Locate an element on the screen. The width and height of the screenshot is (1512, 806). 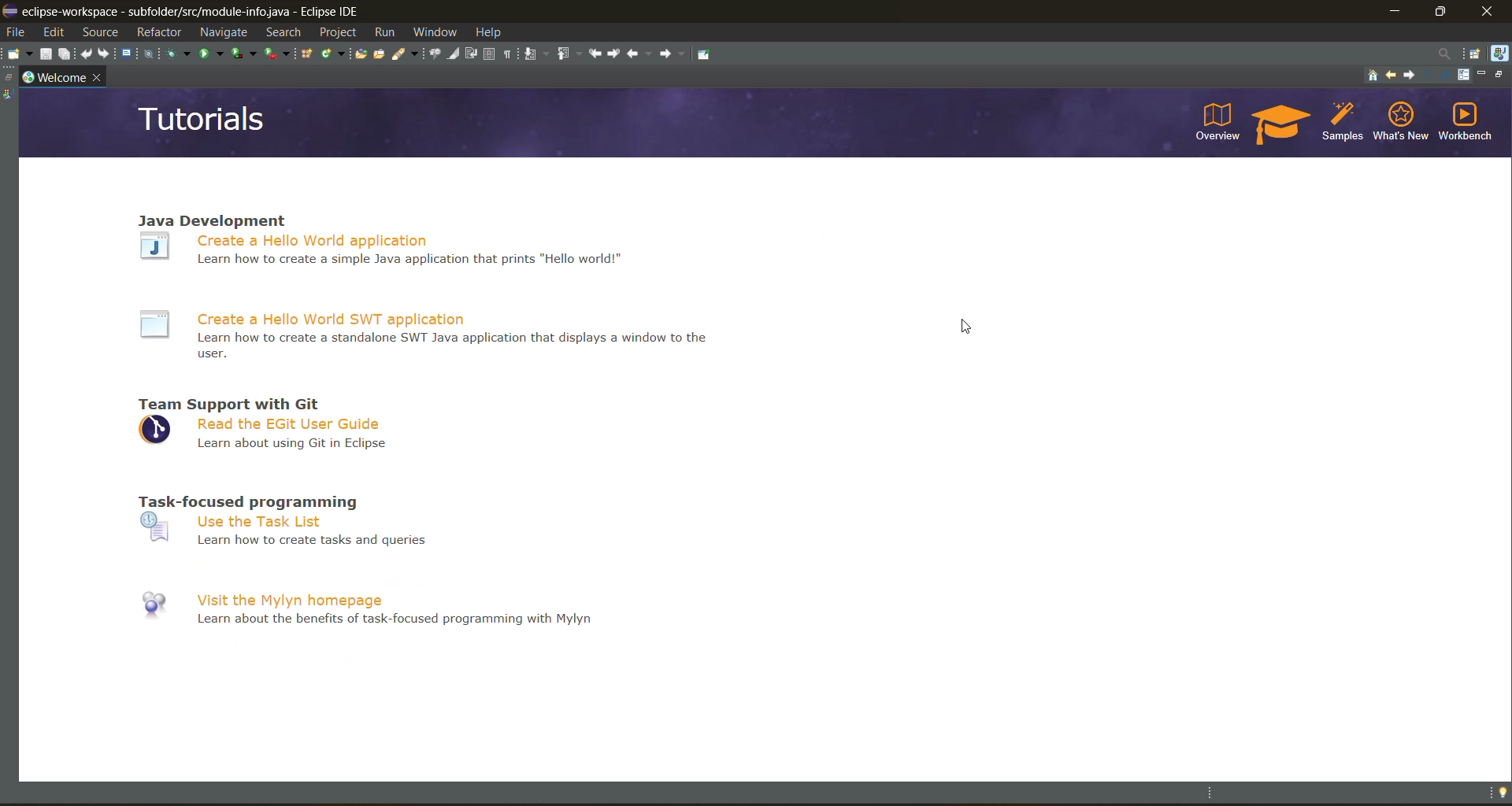
back is located at coordinates (639, 55).